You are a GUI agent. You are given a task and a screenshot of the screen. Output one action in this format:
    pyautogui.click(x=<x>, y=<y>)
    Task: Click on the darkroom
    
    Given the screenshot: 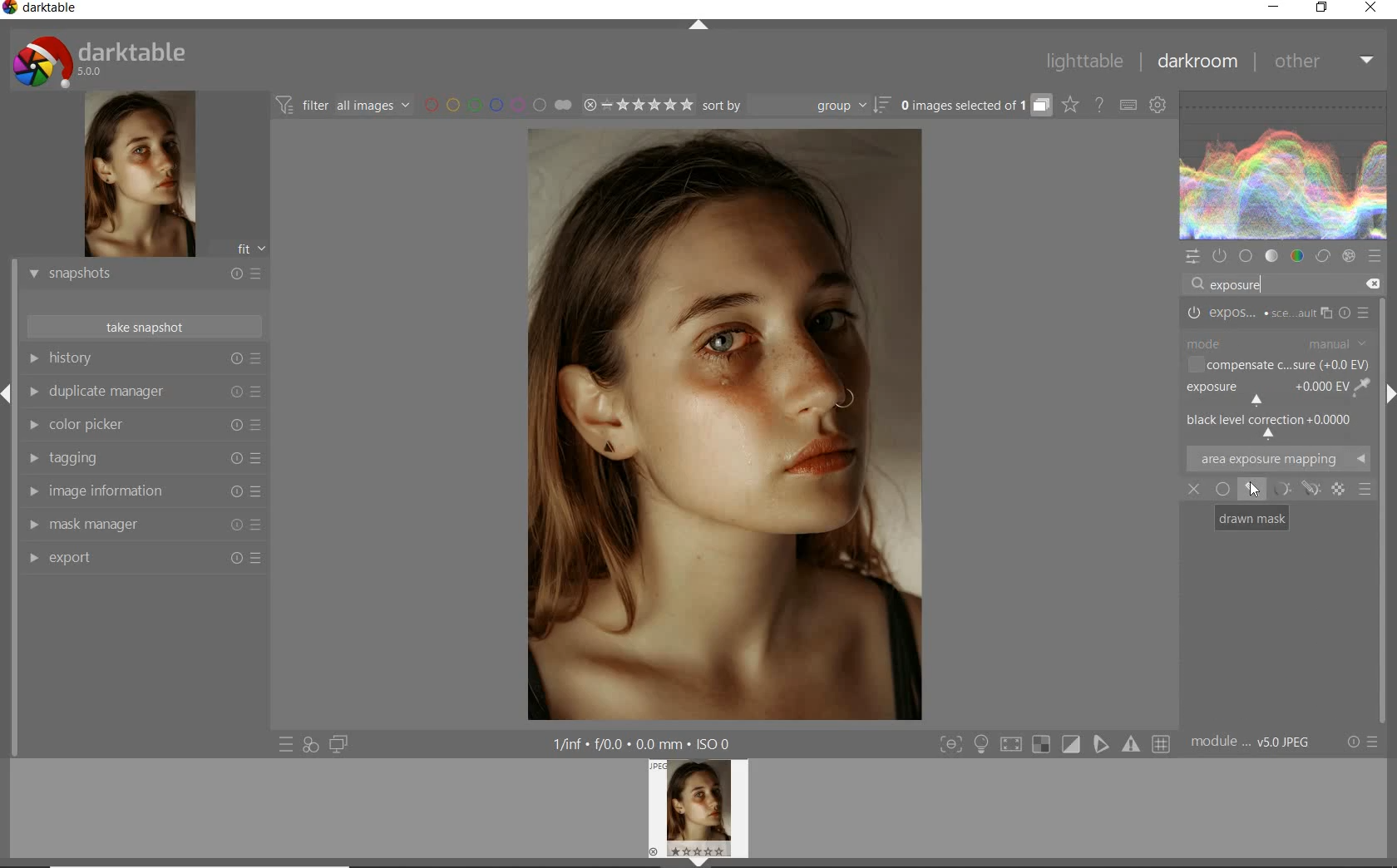 What is the action you would take?
    pyautogui.click(x=1195, y=62)
    